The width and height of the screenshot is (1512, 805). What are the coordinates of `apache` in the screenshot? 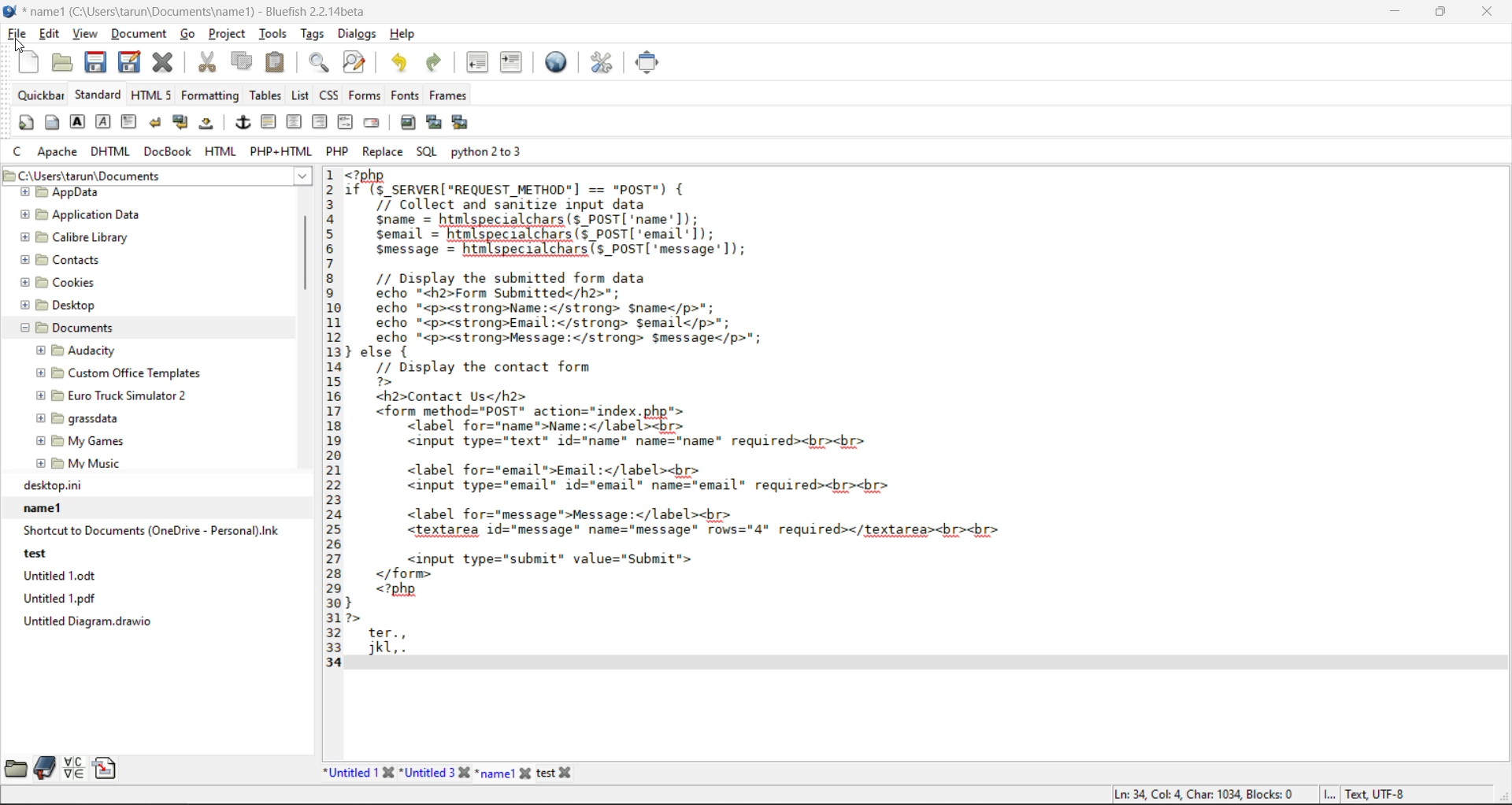 It's located at (59, 152).